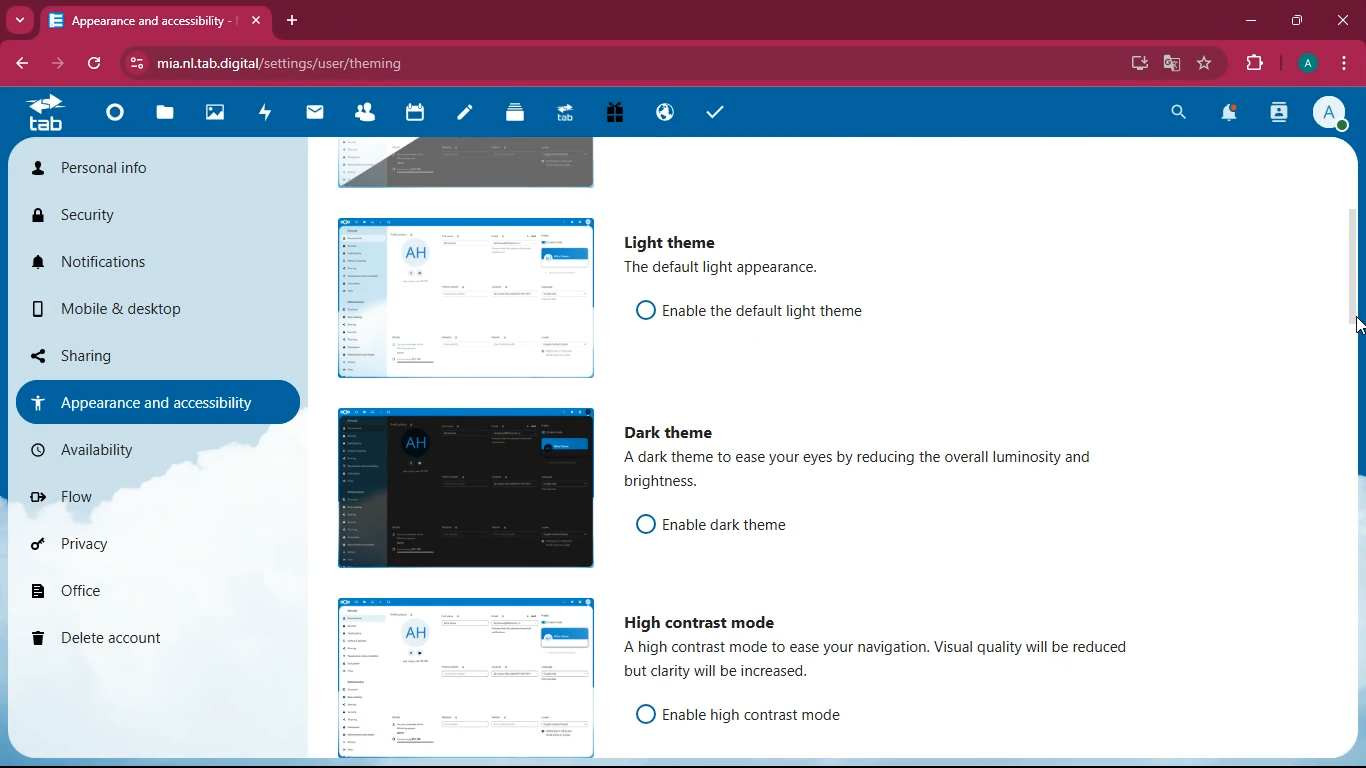  I want to click on close, so click(1341, 20).